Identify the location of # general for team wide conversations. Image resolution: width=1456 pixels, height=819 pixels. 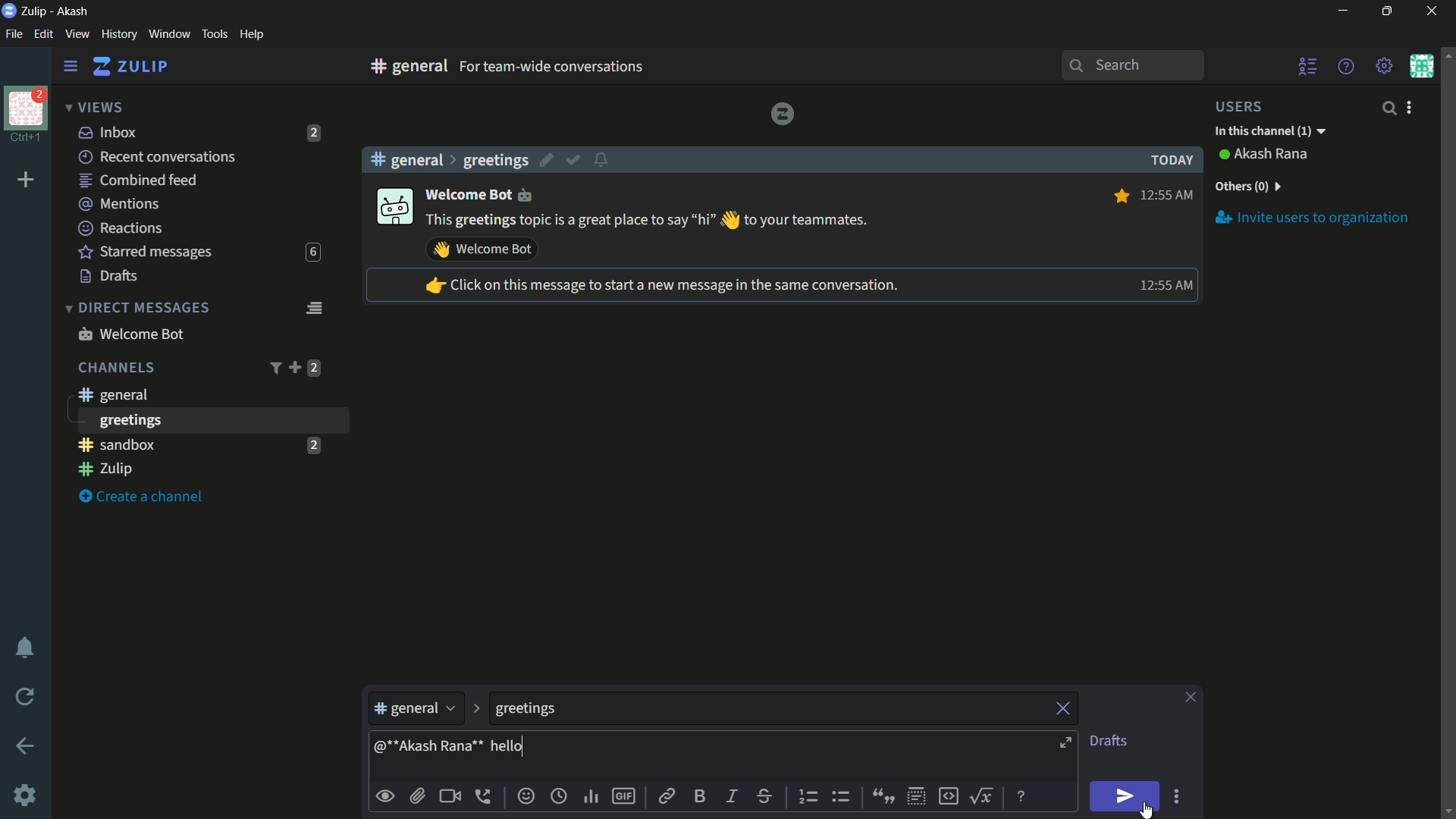
(578, 66).